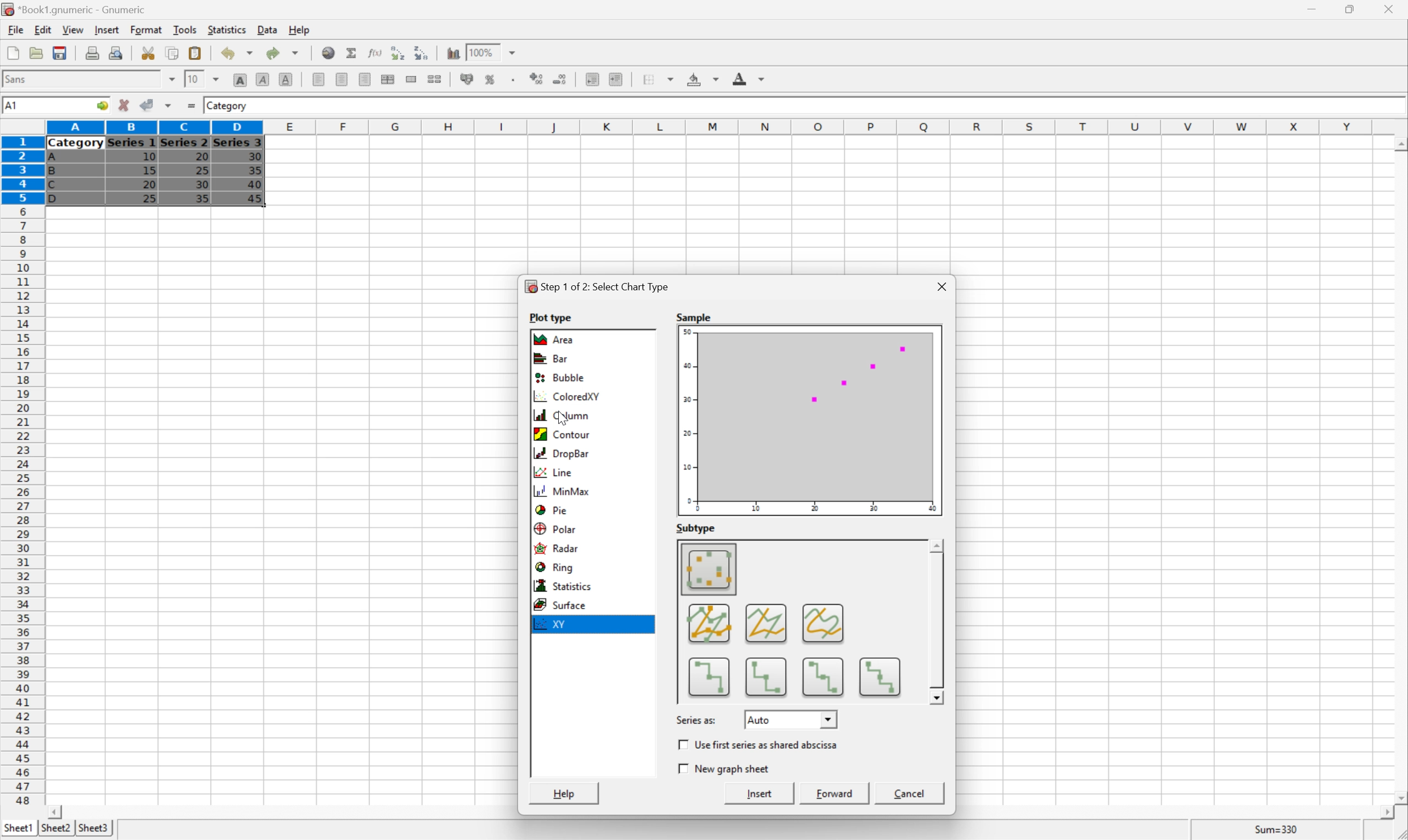 This screenshot has width=1408, height=840. Describe the element at coordinates (559, 338) in the screenshot. I see `Area` at that location.